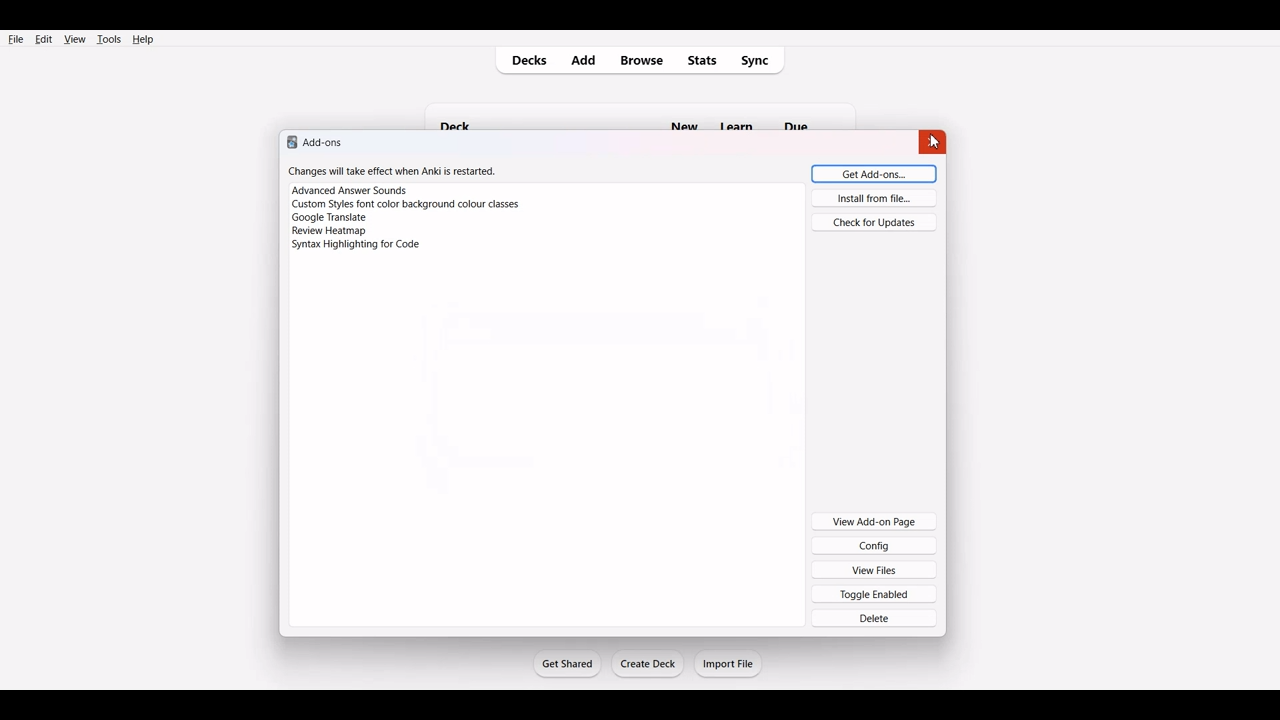  I want to click on Import File, so click(729, 663).